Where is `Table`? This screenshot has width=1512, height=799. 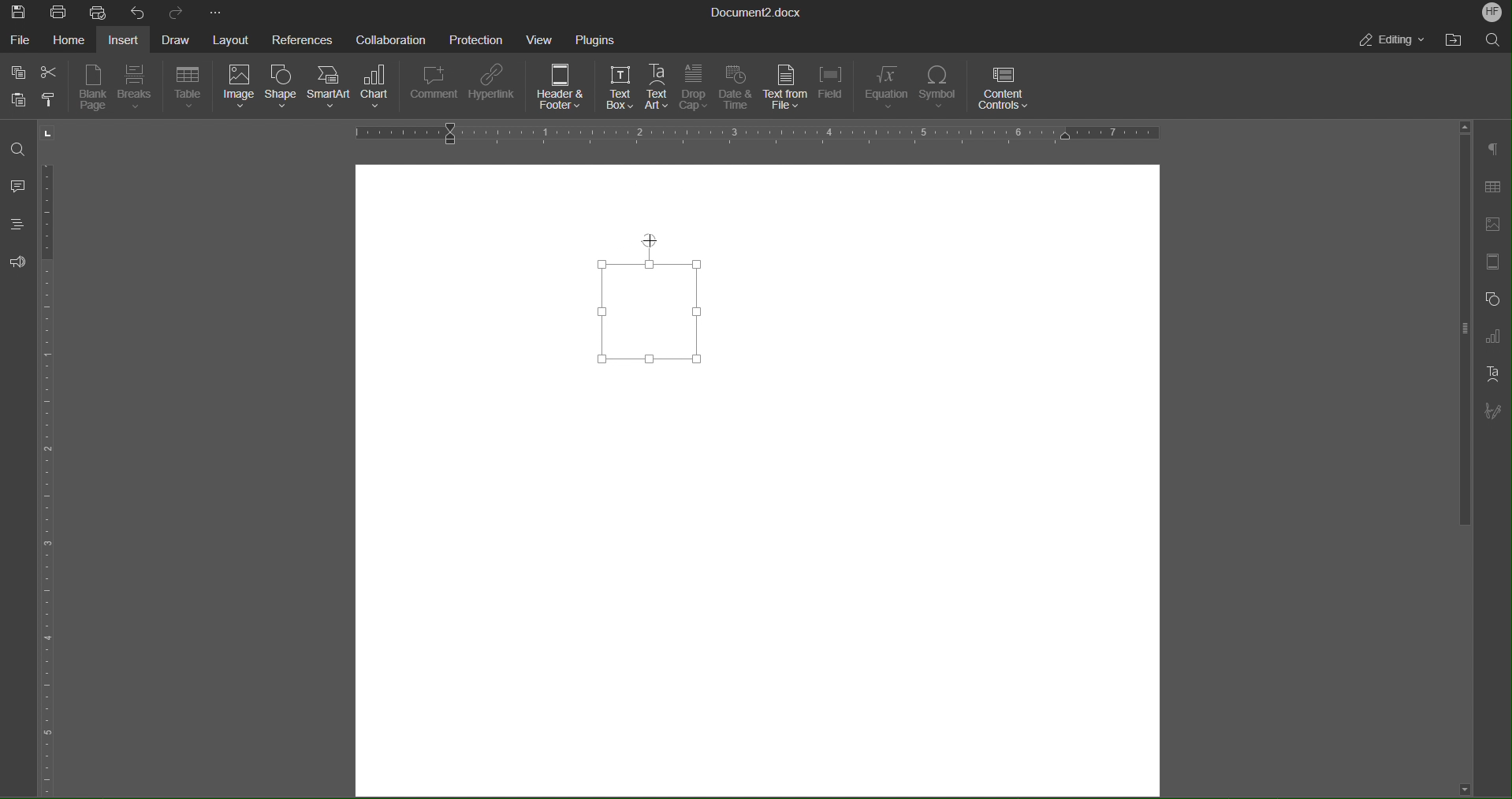 Table is located at coordinates (189, 88).